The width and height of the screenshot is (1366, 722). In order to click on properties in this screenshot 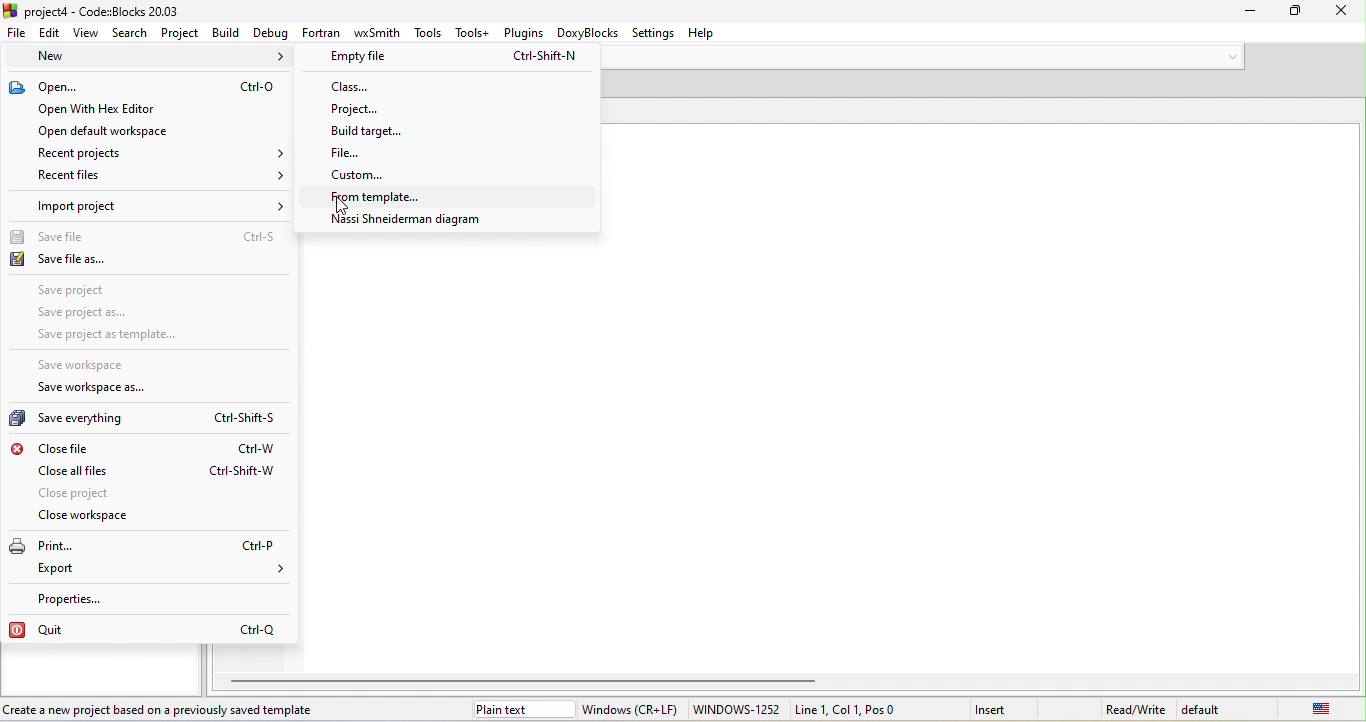, I will do `click(82, 600)`.